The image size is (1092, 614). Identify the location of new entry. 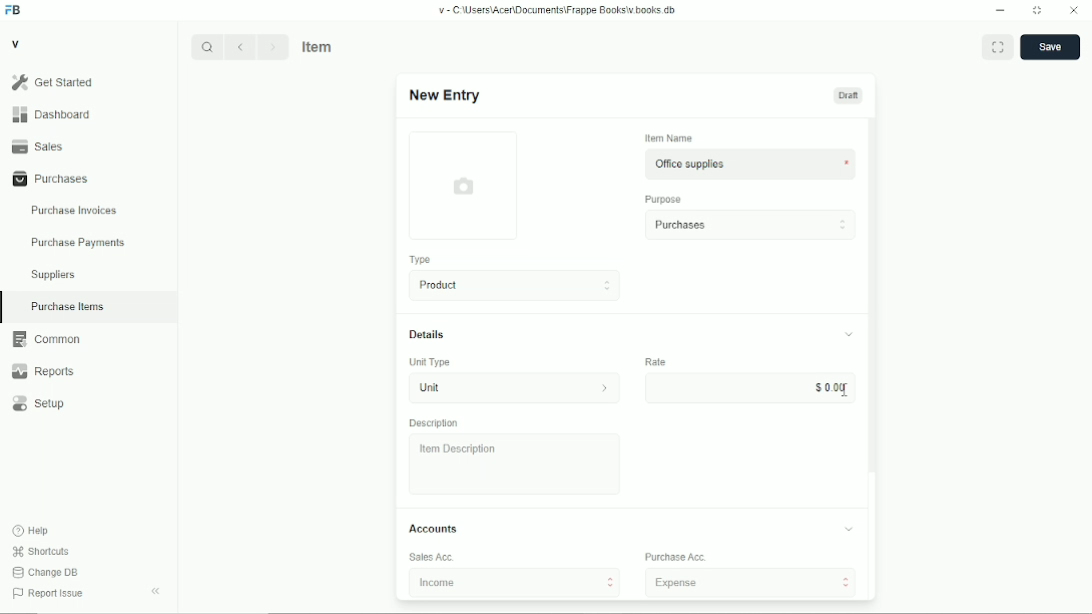
(443, 95).